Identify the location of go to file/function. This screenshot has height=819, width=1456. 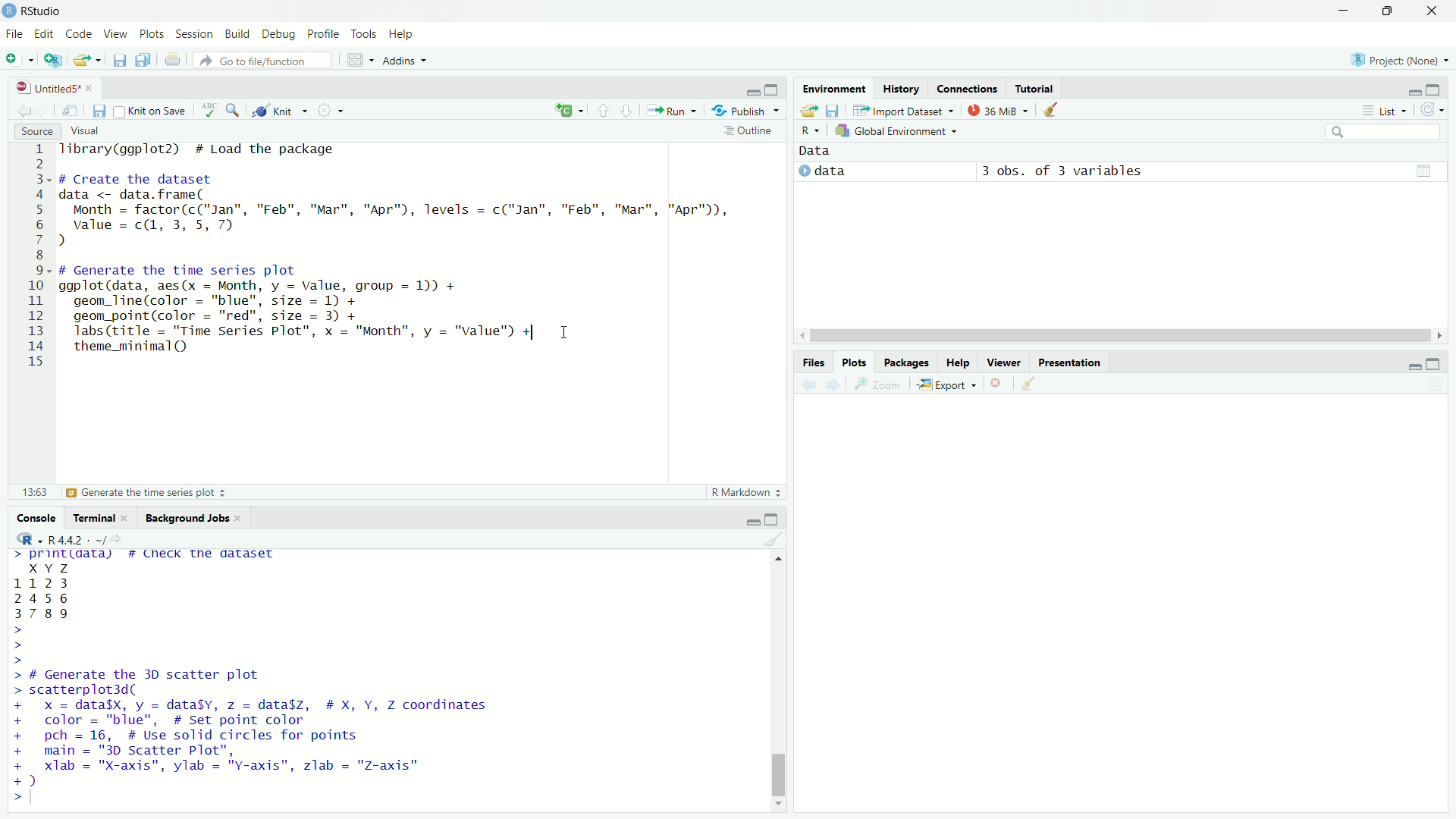
(262, 60).